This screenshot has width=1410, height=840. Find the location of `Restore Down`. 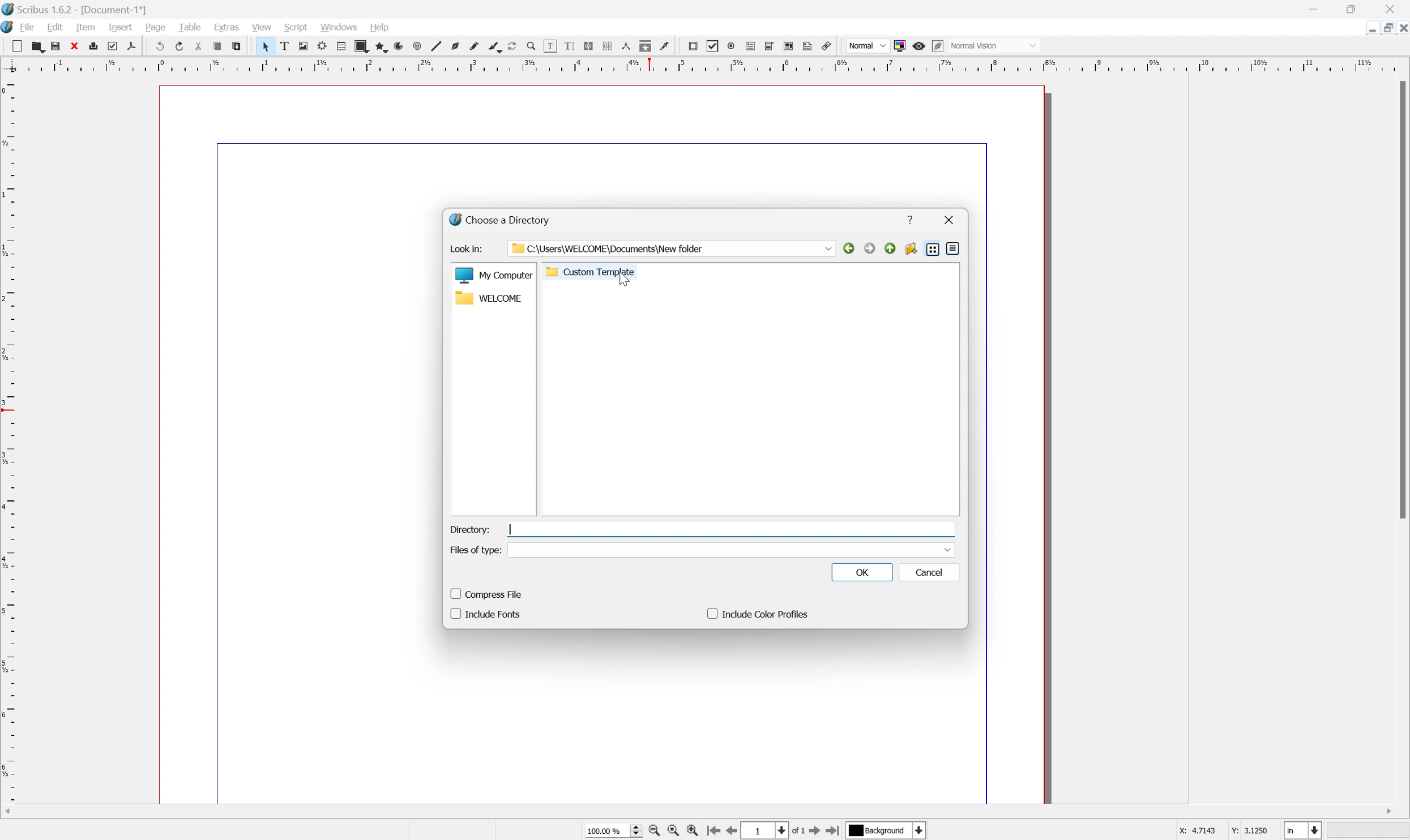

Restore Down is located at coordinates (1386, 29).